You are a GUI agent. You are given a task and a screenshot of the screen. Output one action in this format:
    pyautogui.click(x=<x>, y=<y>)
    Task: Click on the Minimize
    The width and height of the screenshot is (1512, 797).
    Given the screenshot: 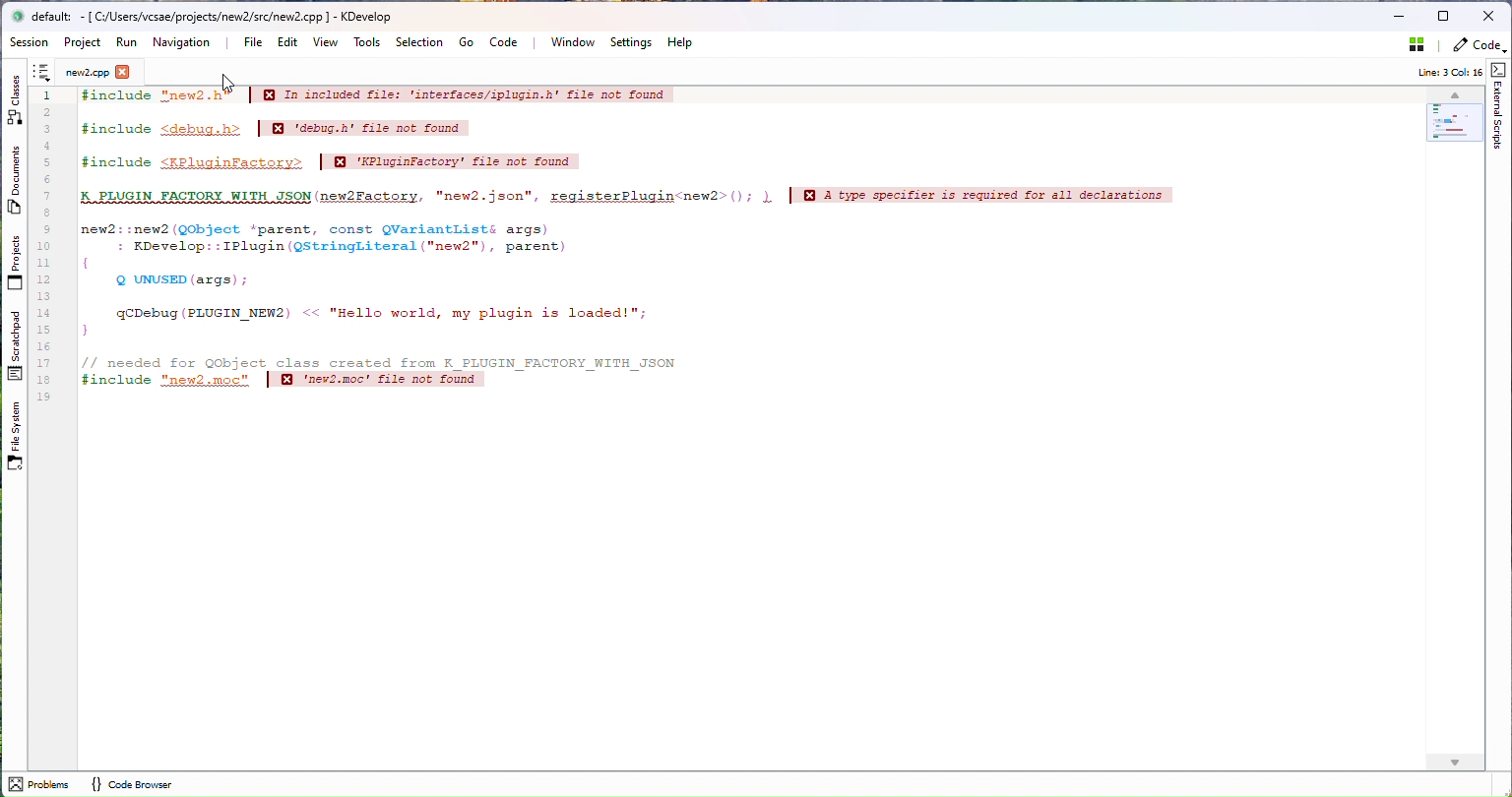 What is the action you would take?
    pyautogui.click(x=1401, y=17)
    